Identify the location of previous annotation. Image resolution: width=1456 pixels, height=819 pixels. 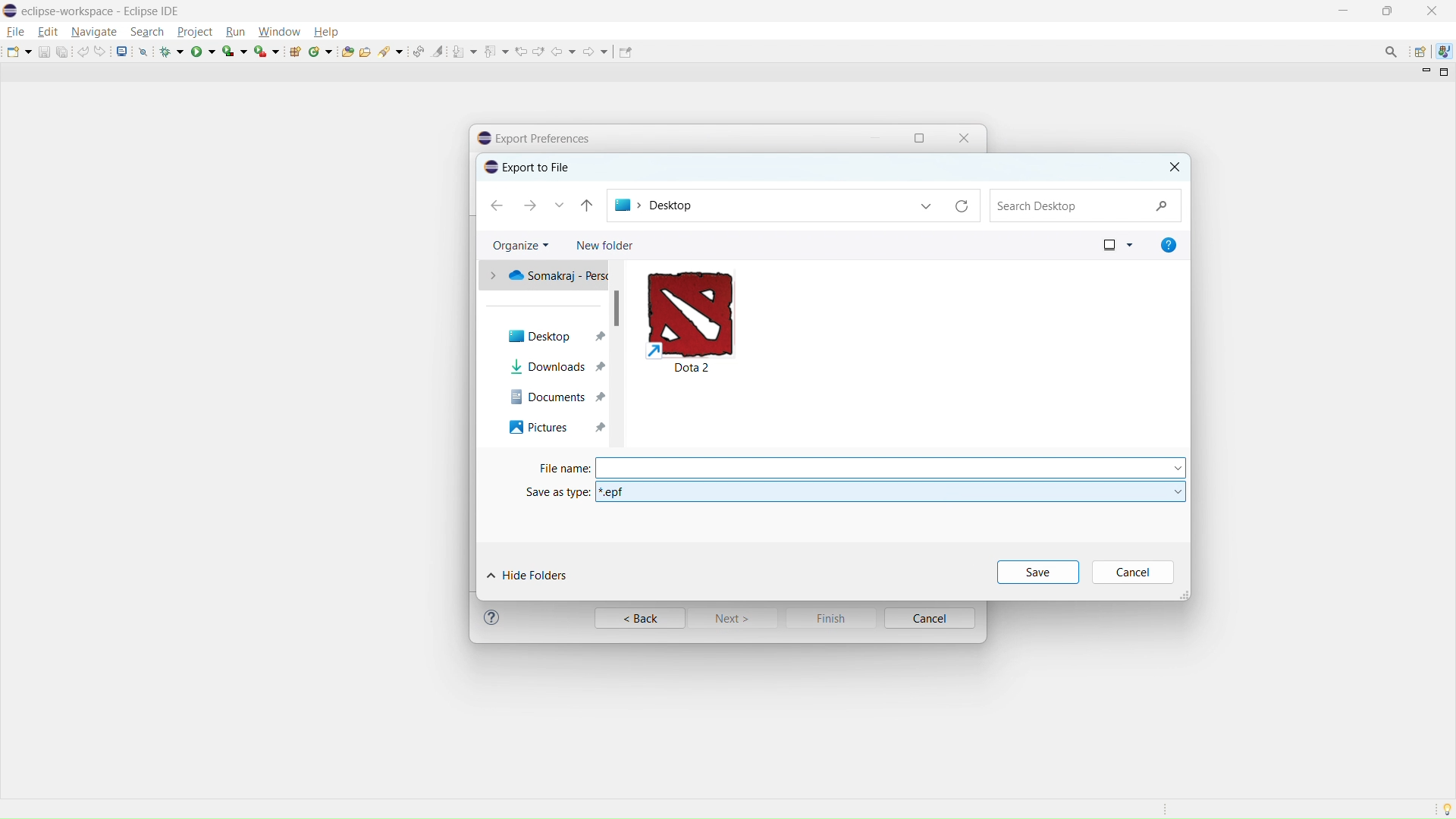
(497, 50).